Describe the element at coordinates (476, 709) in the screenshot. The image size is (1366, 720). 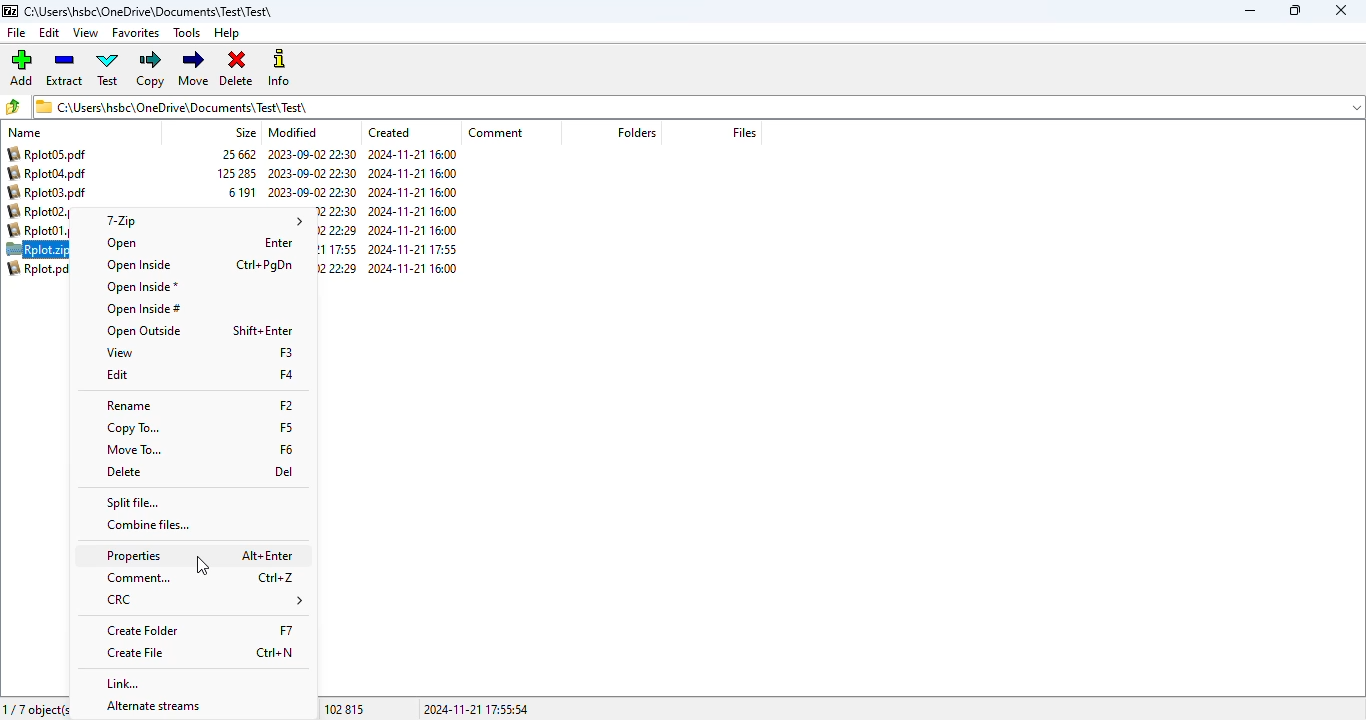
I see `2024-11-21 17:55:54` at that location.